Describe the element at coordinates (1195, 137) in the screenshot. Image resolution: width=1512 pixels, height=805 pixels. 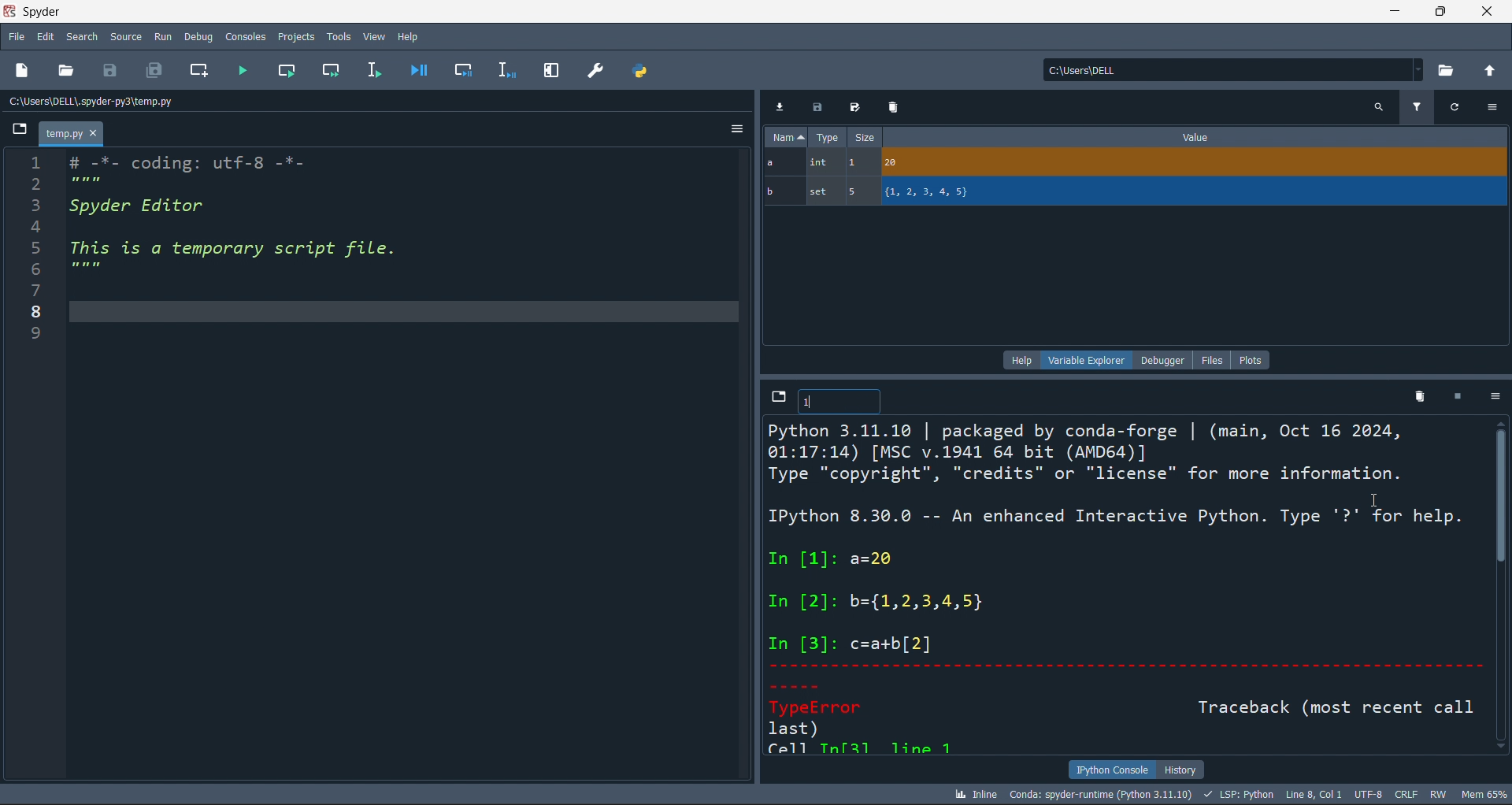
I see `value` at that location.